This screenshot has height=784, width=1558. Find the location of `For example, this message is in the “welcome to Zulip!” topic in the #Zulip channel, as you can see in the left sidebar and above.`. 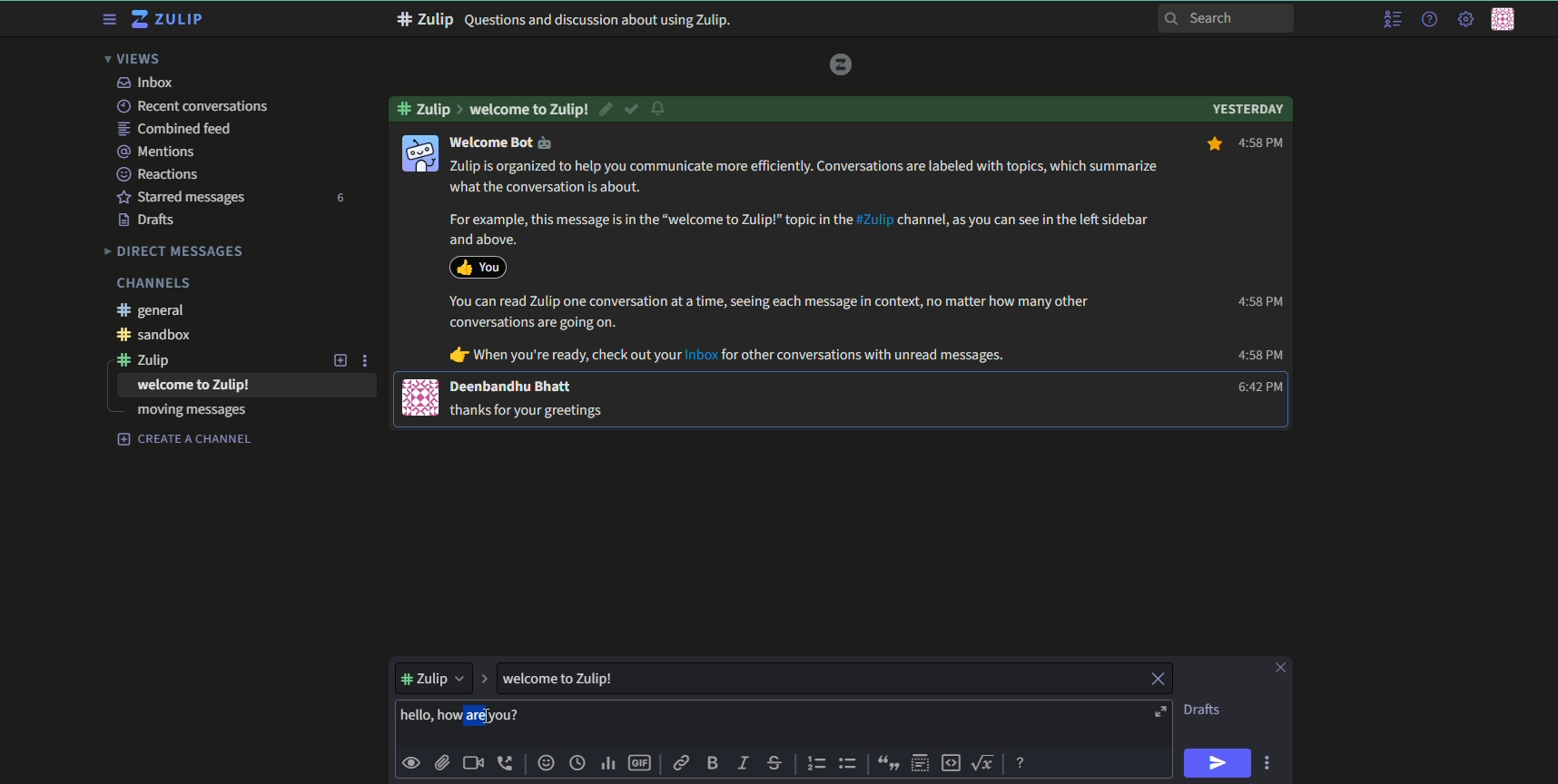

For example, this message is in the “welcome to Zulip!” topic in the #Zulip channel, as you can see in the left sidebar and above. is located at coordinates (794, 229).